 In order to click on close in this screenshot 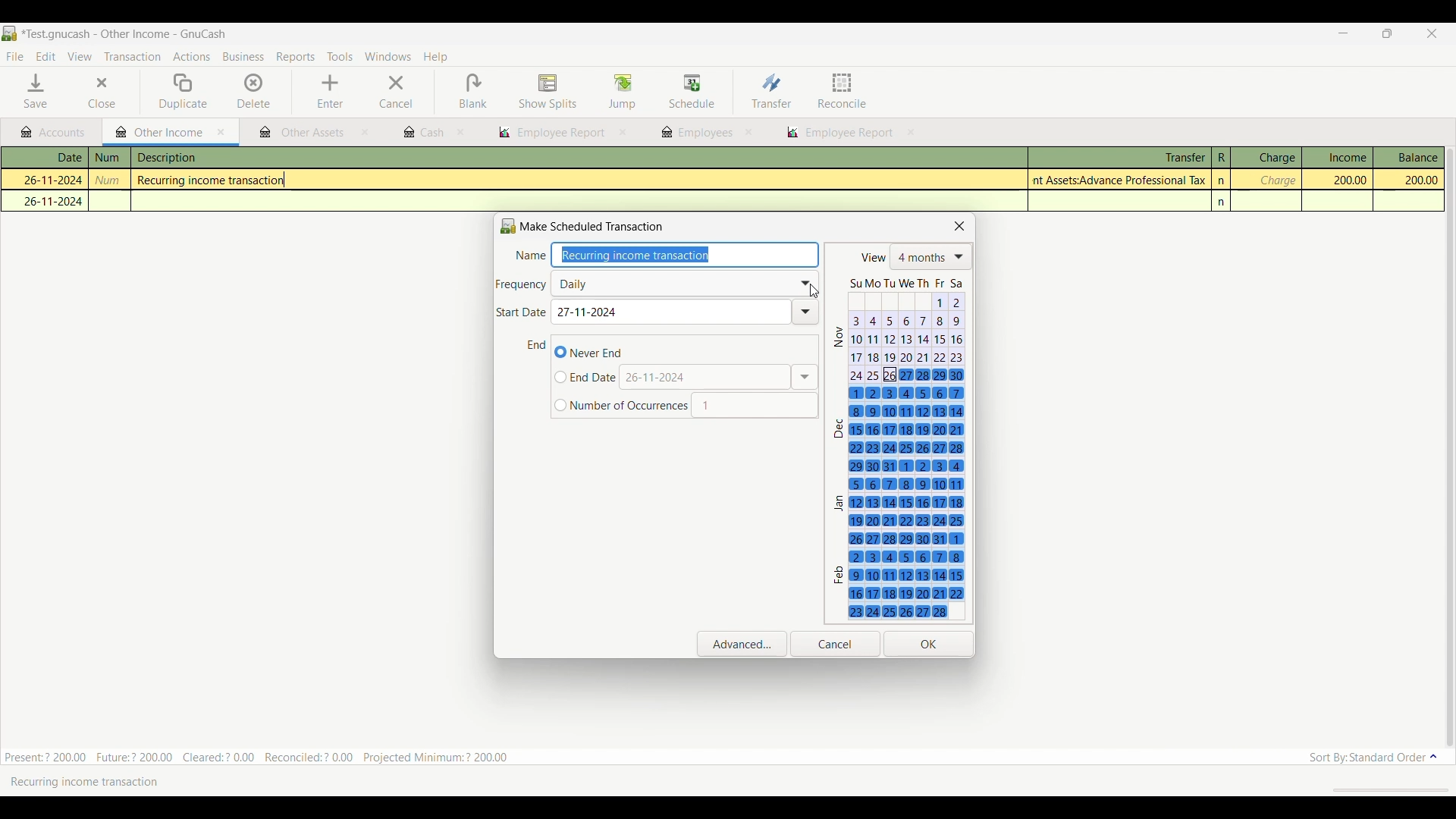, I will do `click(623, 133)`.